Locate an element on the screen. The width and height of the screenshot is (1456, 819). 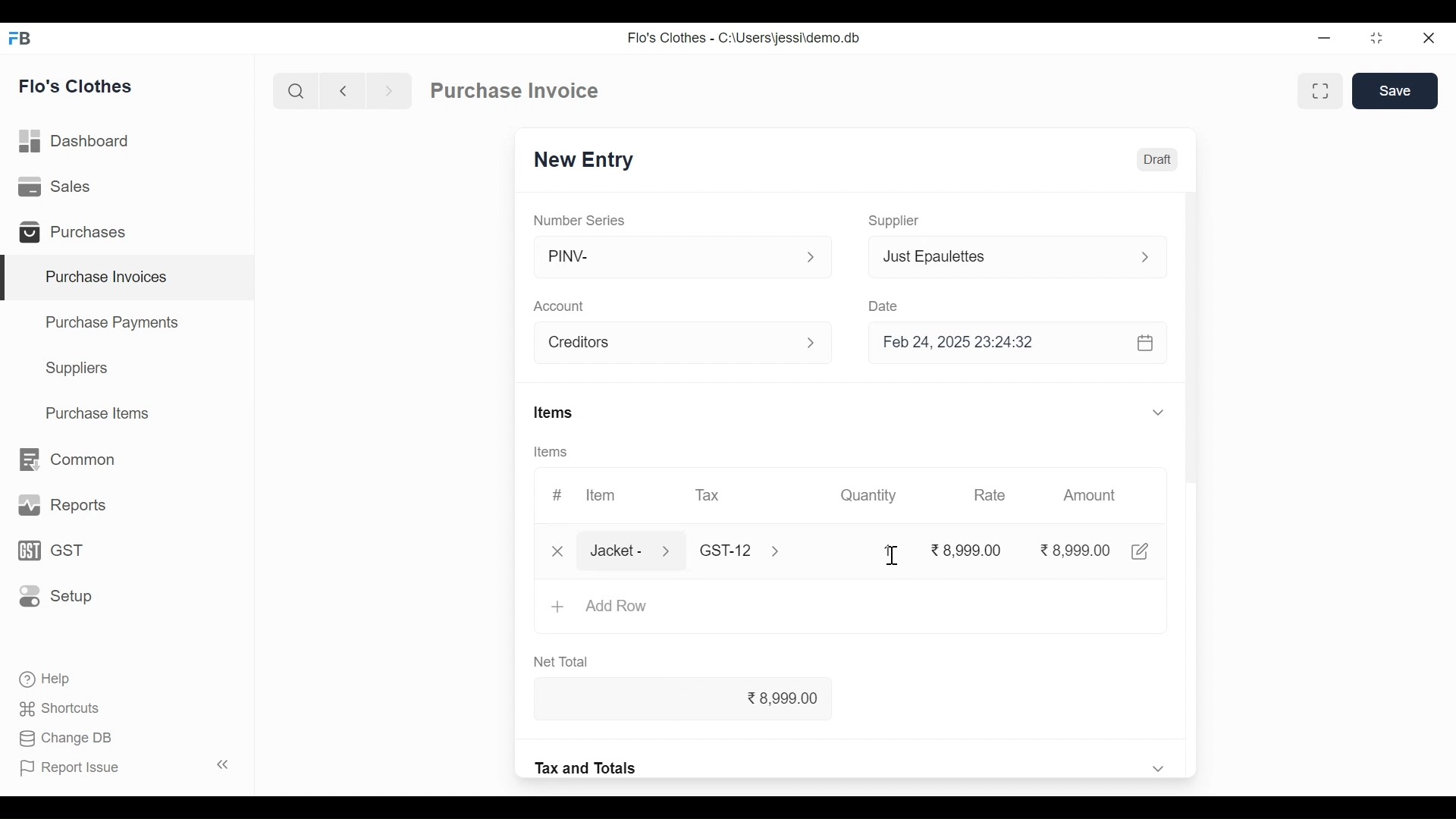
Close is located at coordinates (555, 551).